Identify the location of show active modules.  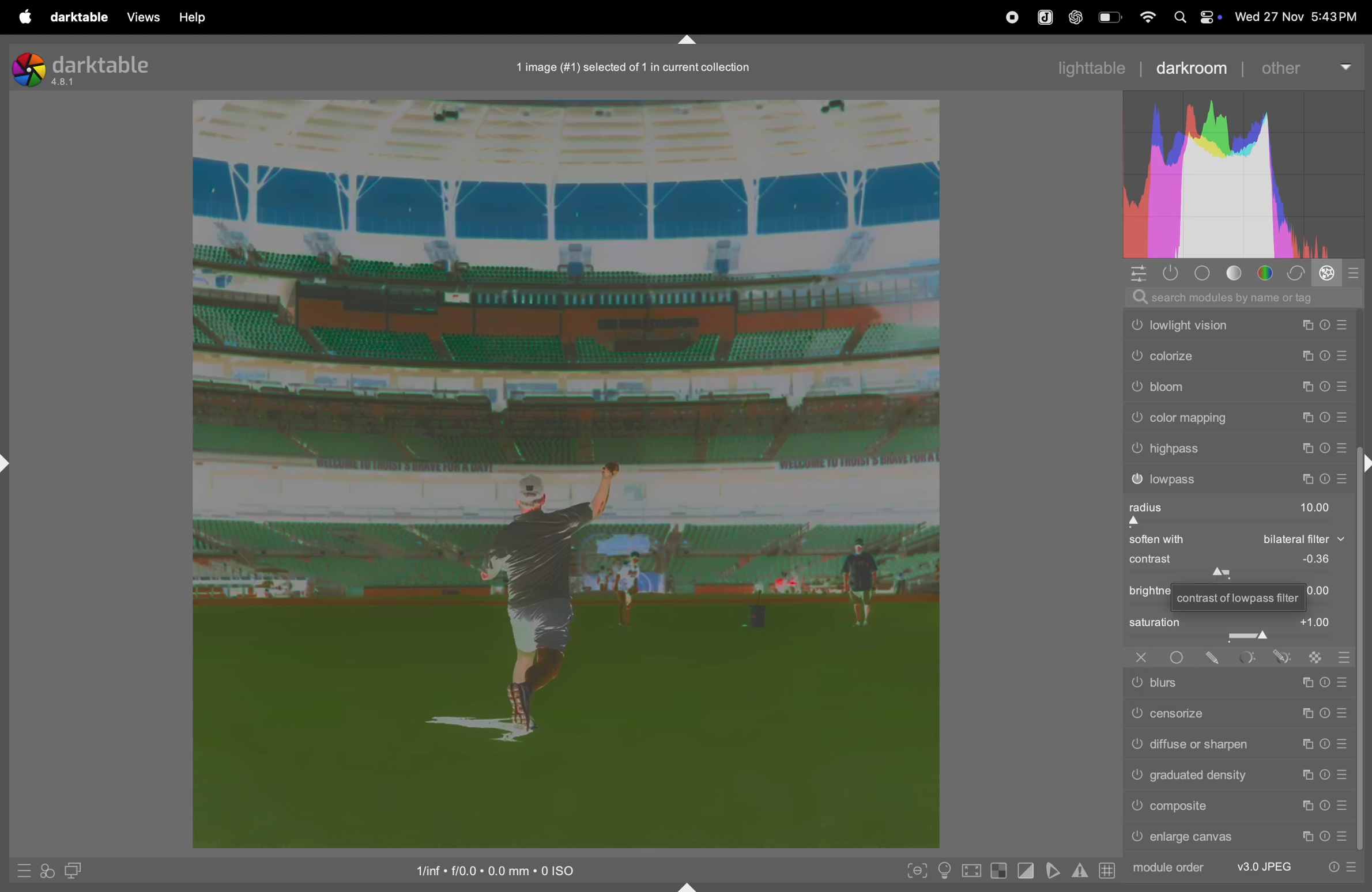
(1168, 273).